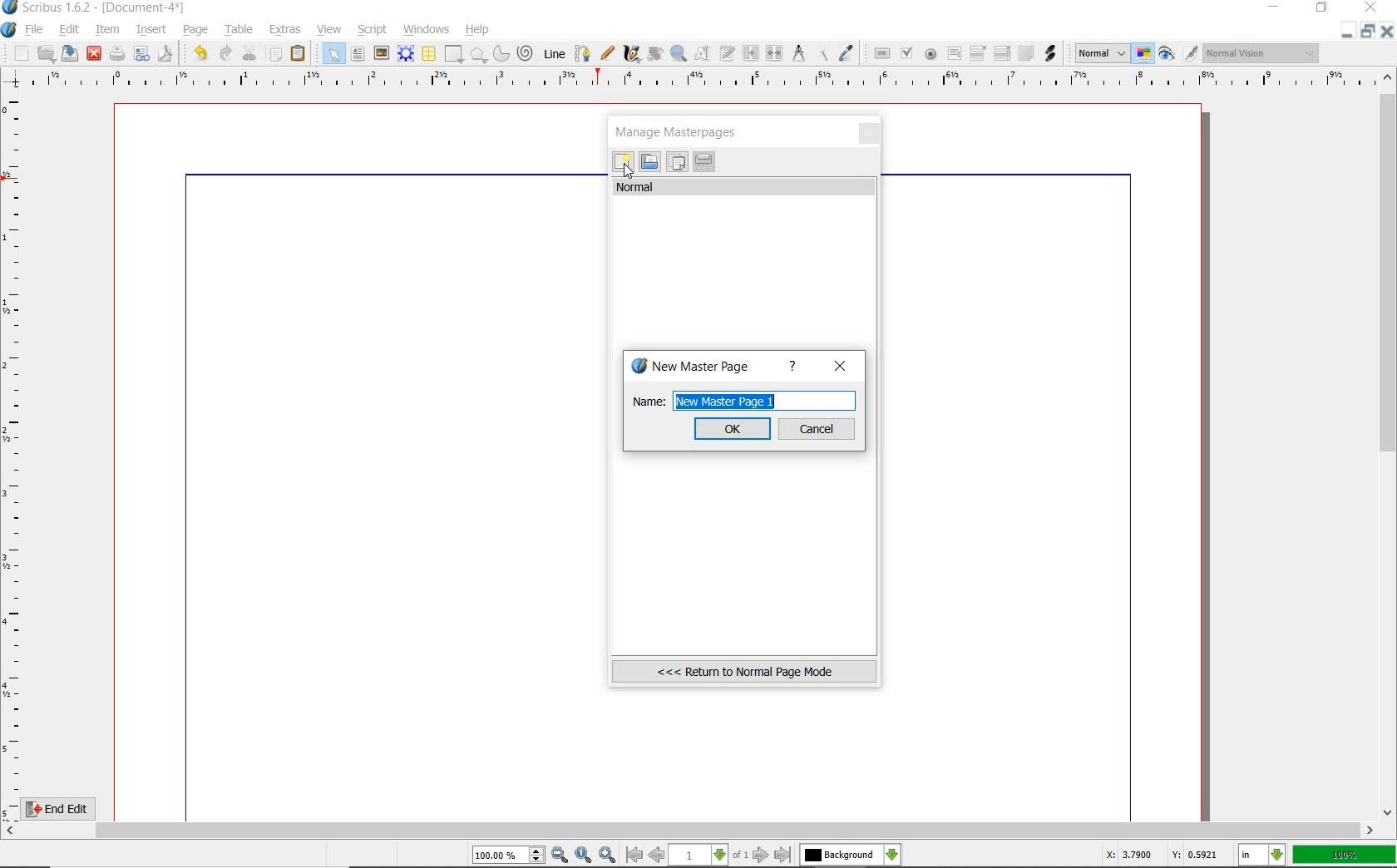 This screenshot has height=868, width=1397. What do you see at coordinates (1025, 54) in the screenshot?
I see `text annotation` at bounding box center [1025, 54].